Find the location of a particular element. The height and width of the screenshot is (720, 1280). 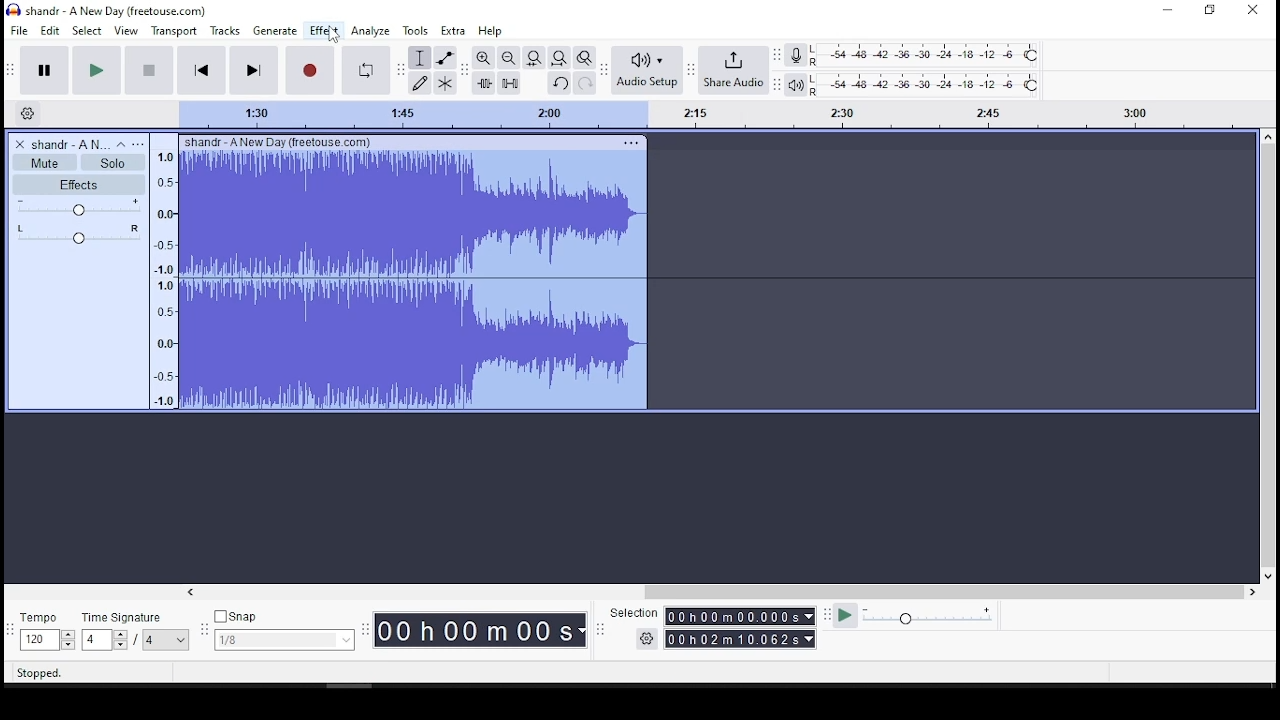

draw tool is located at coordinates (421, 83).